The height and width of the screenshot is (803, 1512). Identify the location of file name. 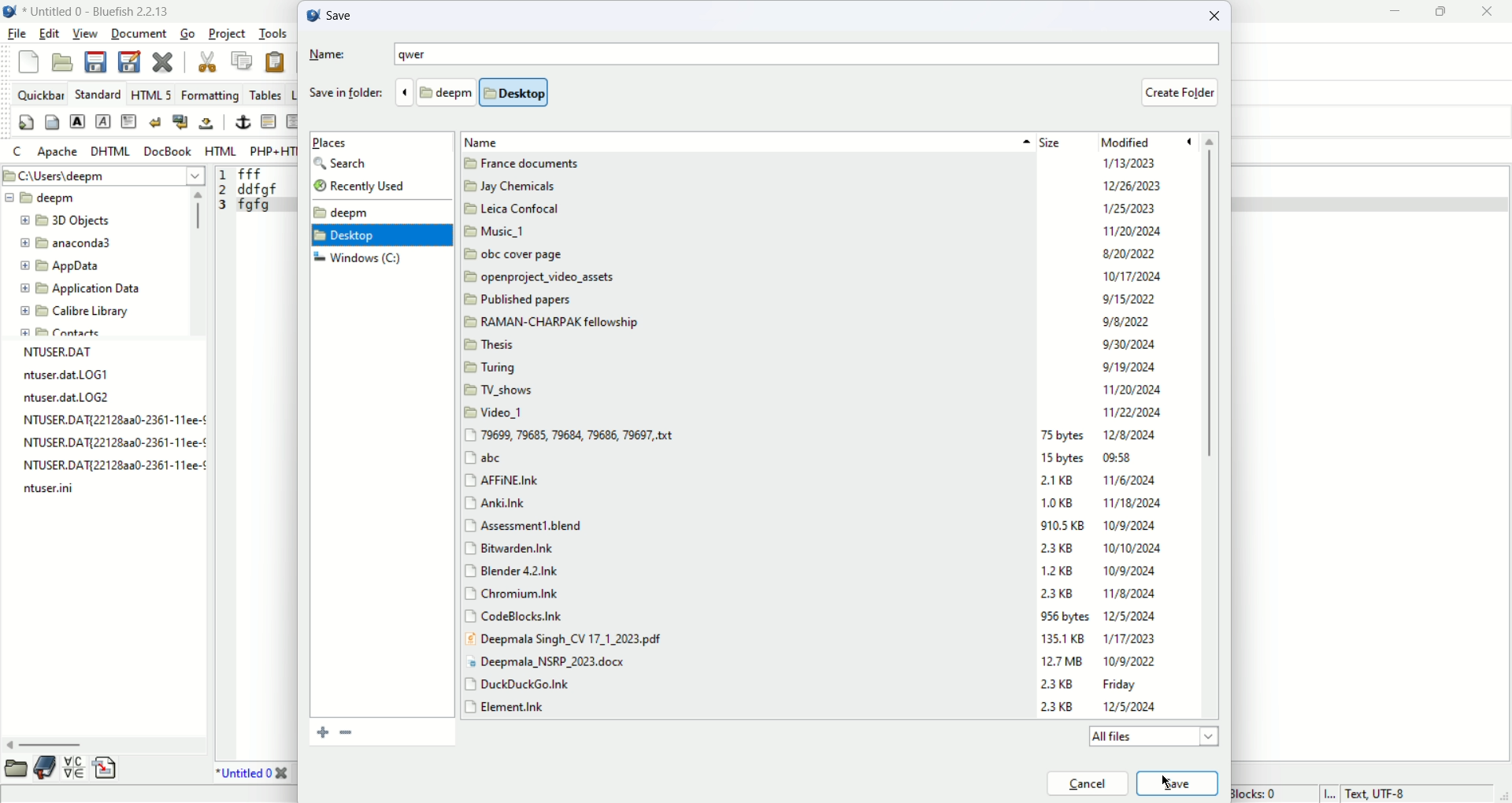
(111, 468).